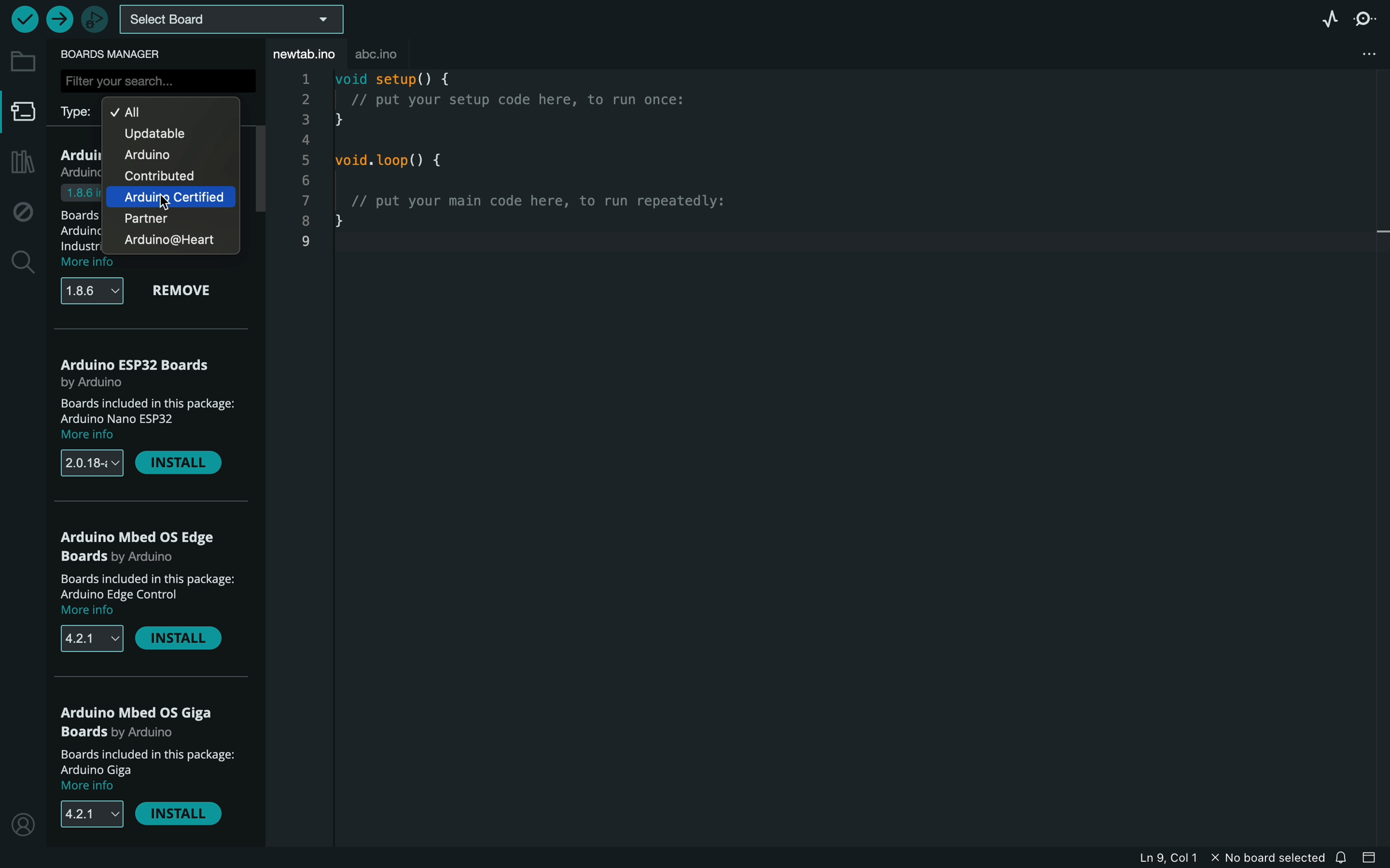 The height and width of the screenshot is (868, 1390). I want to click on folder, so click(21, 63).